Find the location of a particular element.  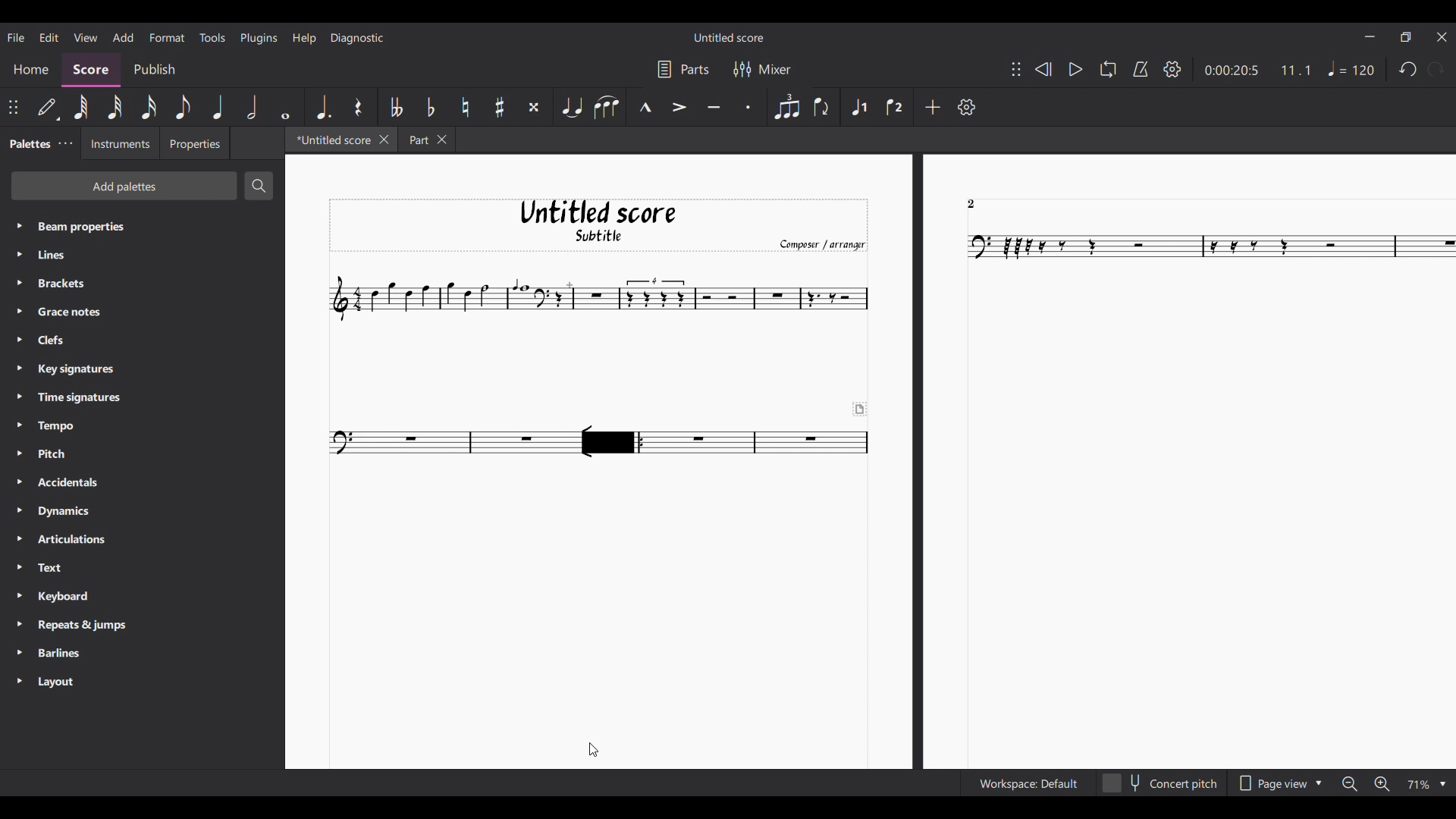

Help menu is located at coordinates (305, 39).